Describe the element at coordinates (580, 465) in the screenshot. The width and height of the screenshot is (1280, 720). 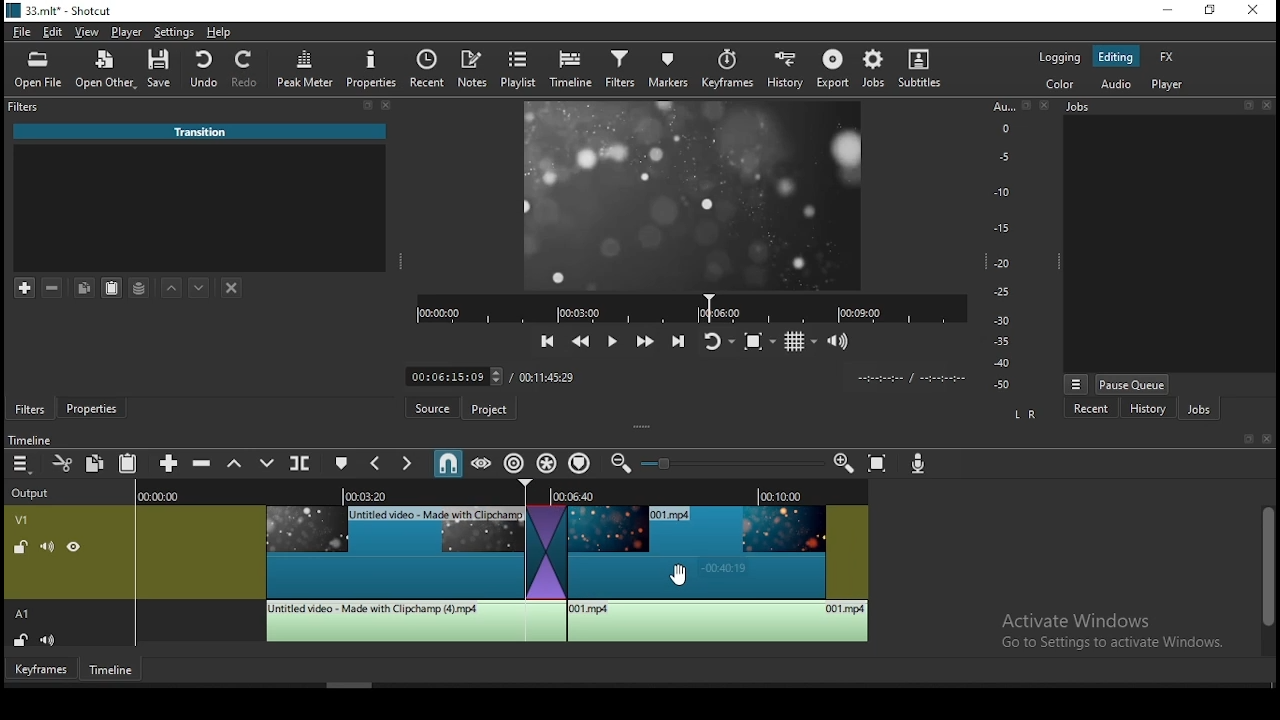
I see `ripple markers` at that location.